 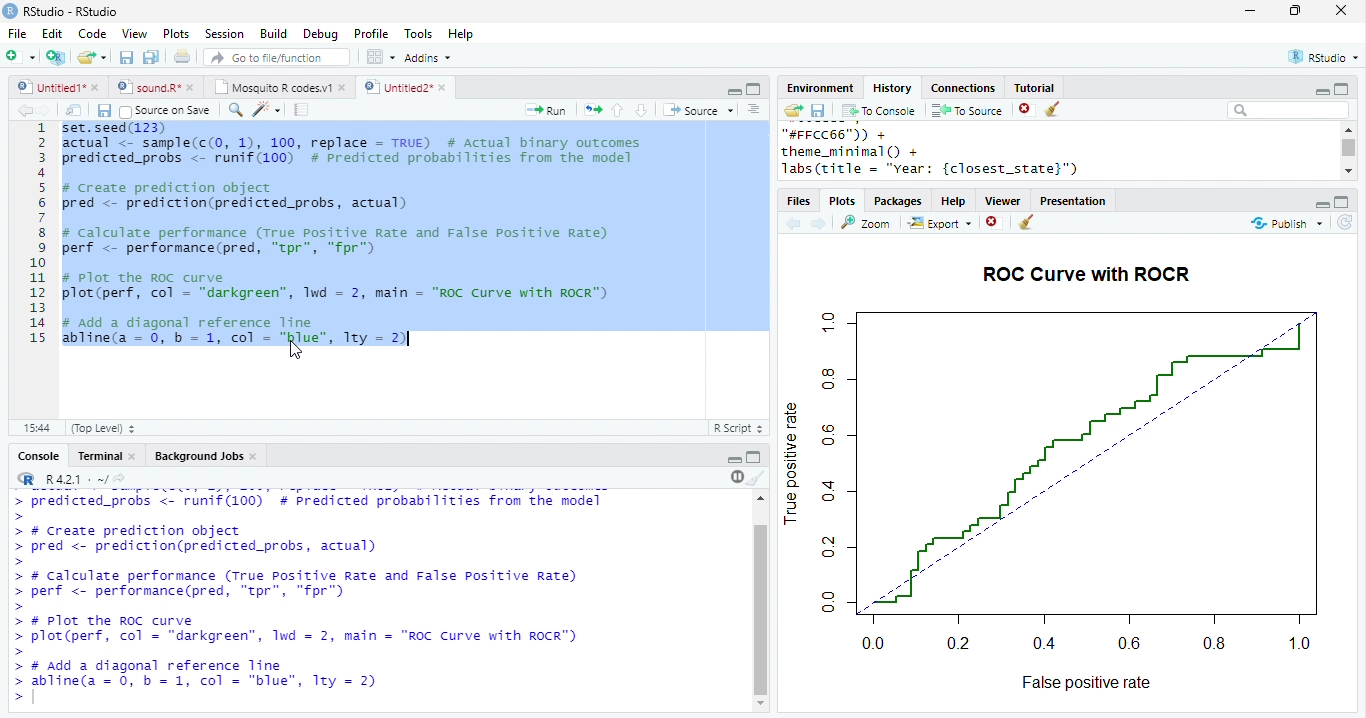 What do you see at coordinates (700, 110) in the screenshot?
I see `Source` at bounding box center [700, 110].